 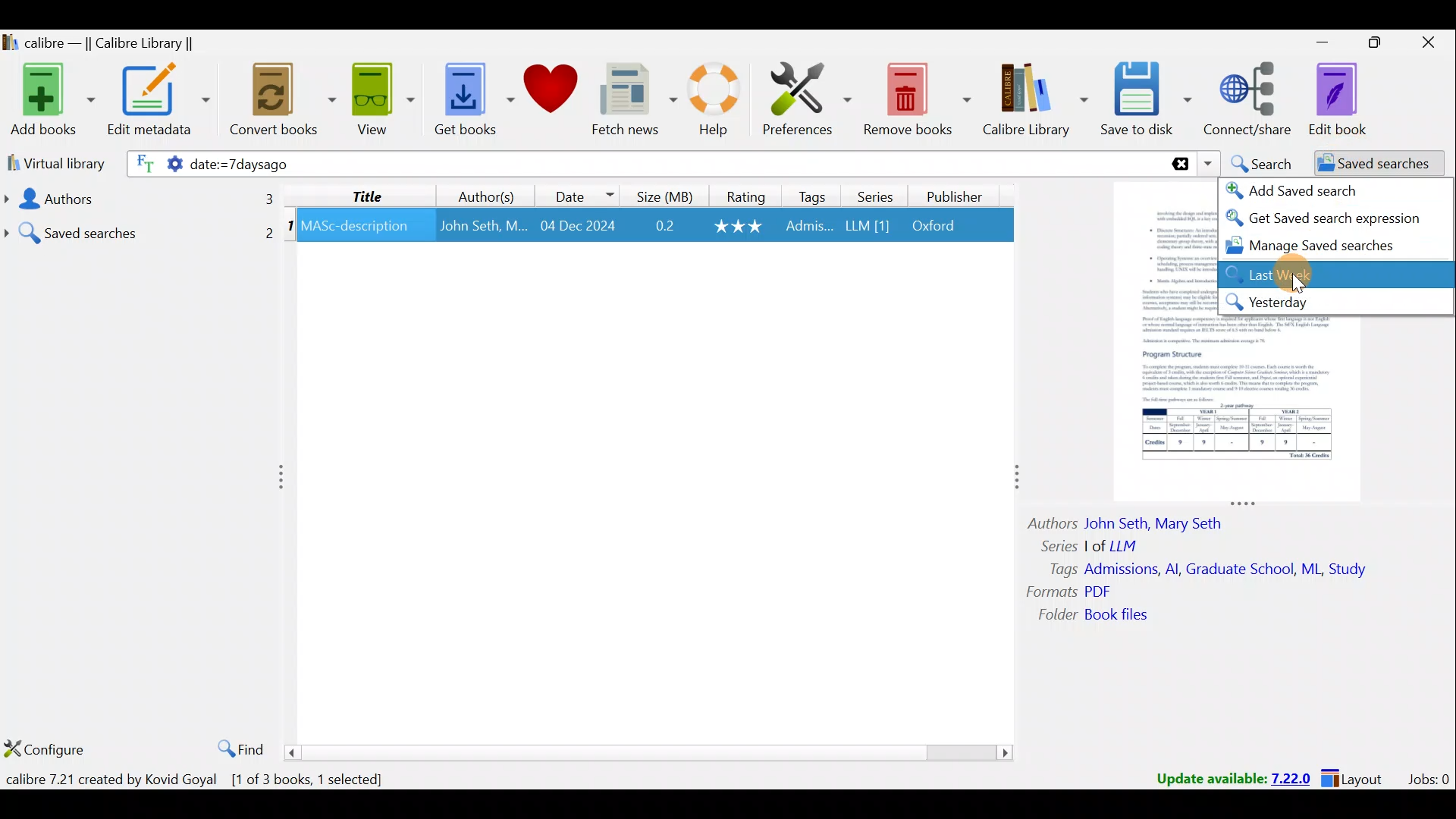 What do you see at coordinates (651, 752) in the screenshot?
I see `Scroll bar` at bounding box center [651, 752].